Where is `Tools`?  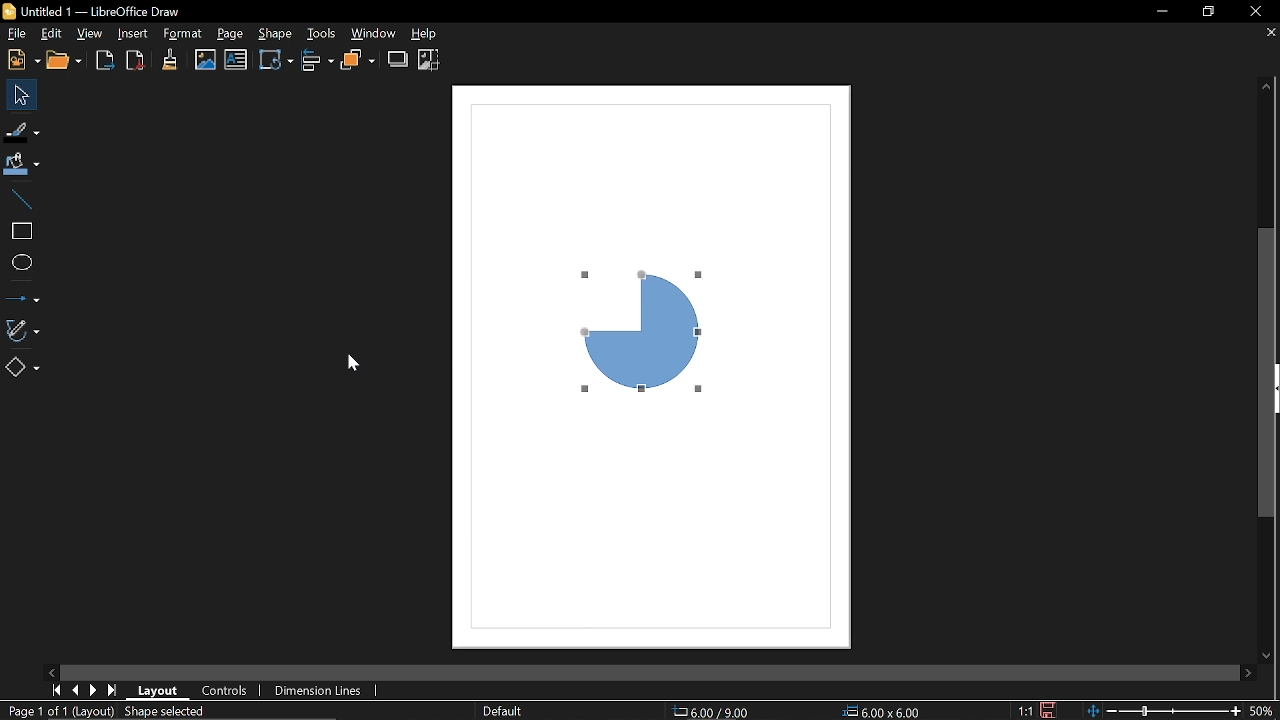
Tools is located at coordinates (322, 34).